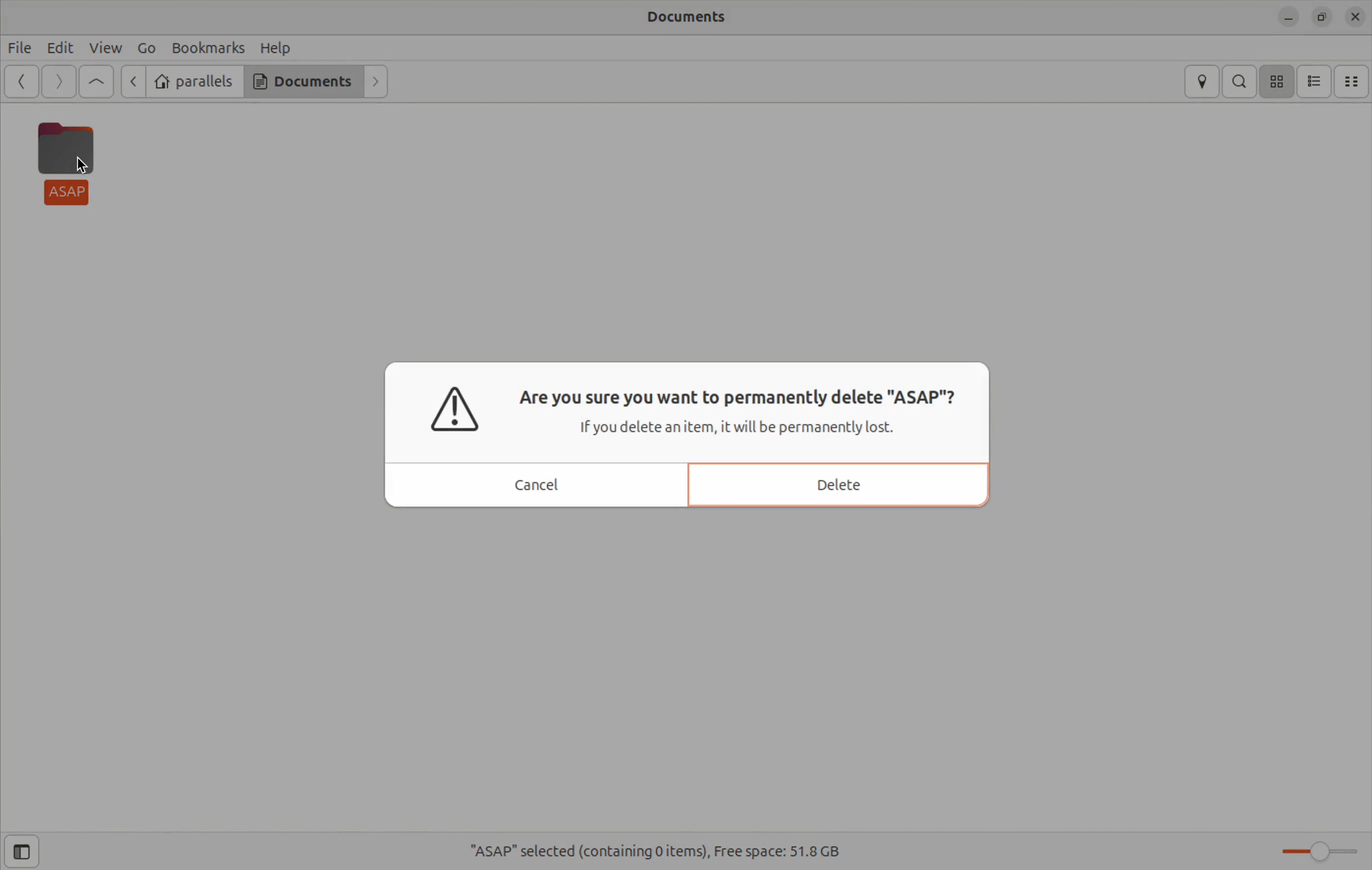 This screenshot has height=870, width=1372. I want to click on cursor, so click(84, 164).